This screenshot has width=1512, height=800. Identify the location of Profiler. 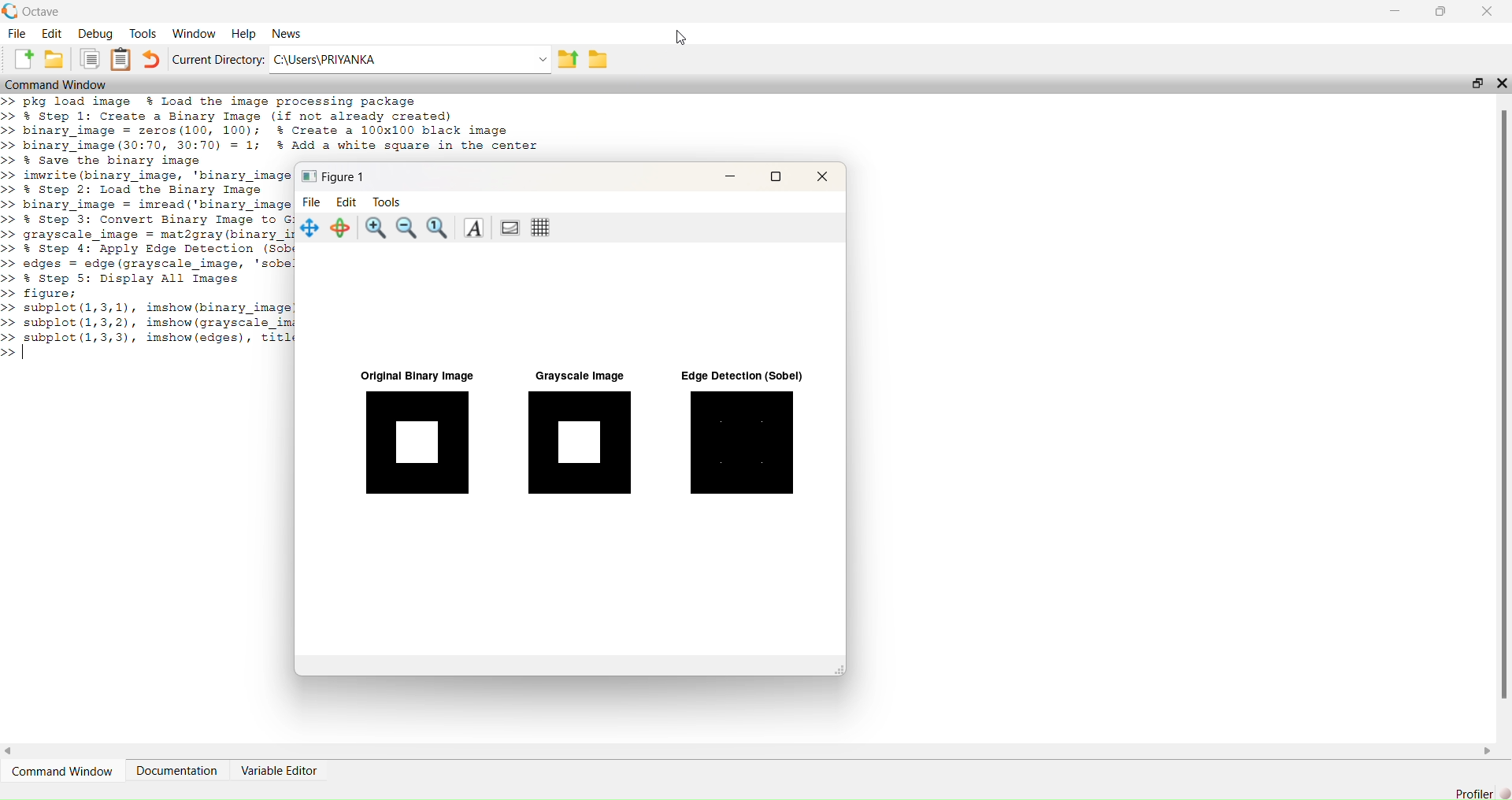
(1482, 793).